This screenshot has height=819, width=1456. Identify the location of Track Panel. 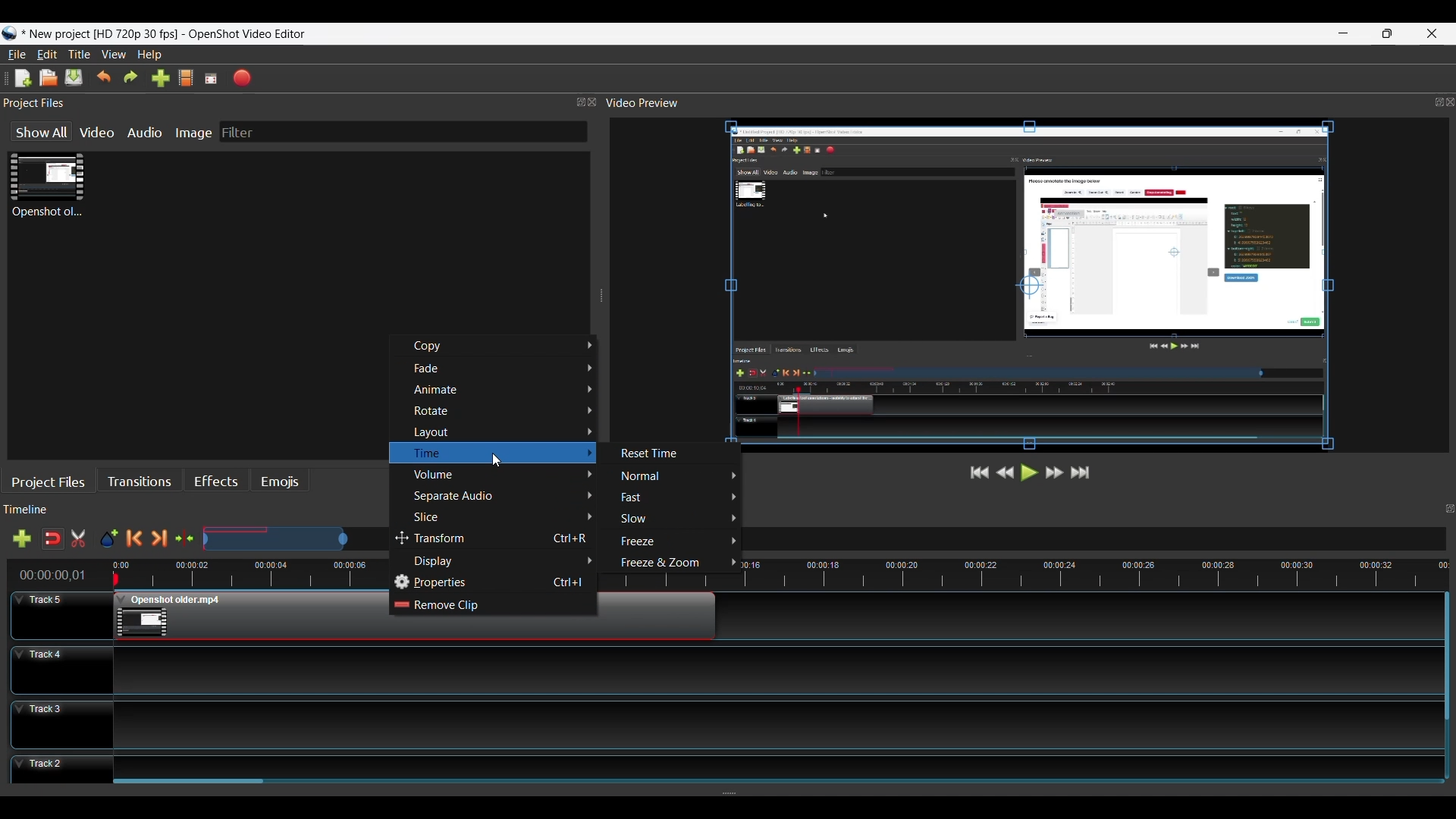
(775, 670).